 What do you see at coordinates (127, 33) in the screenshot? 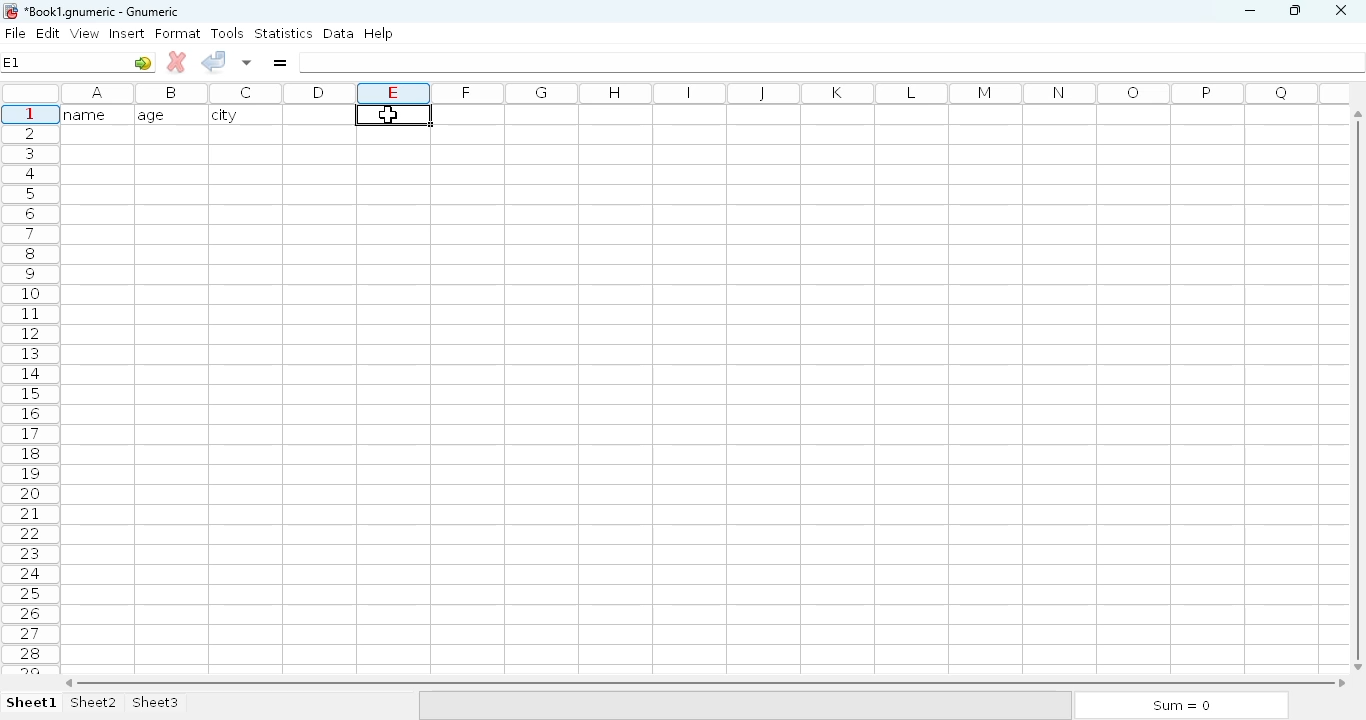
I see `insert` at bounding box center [127, 33].